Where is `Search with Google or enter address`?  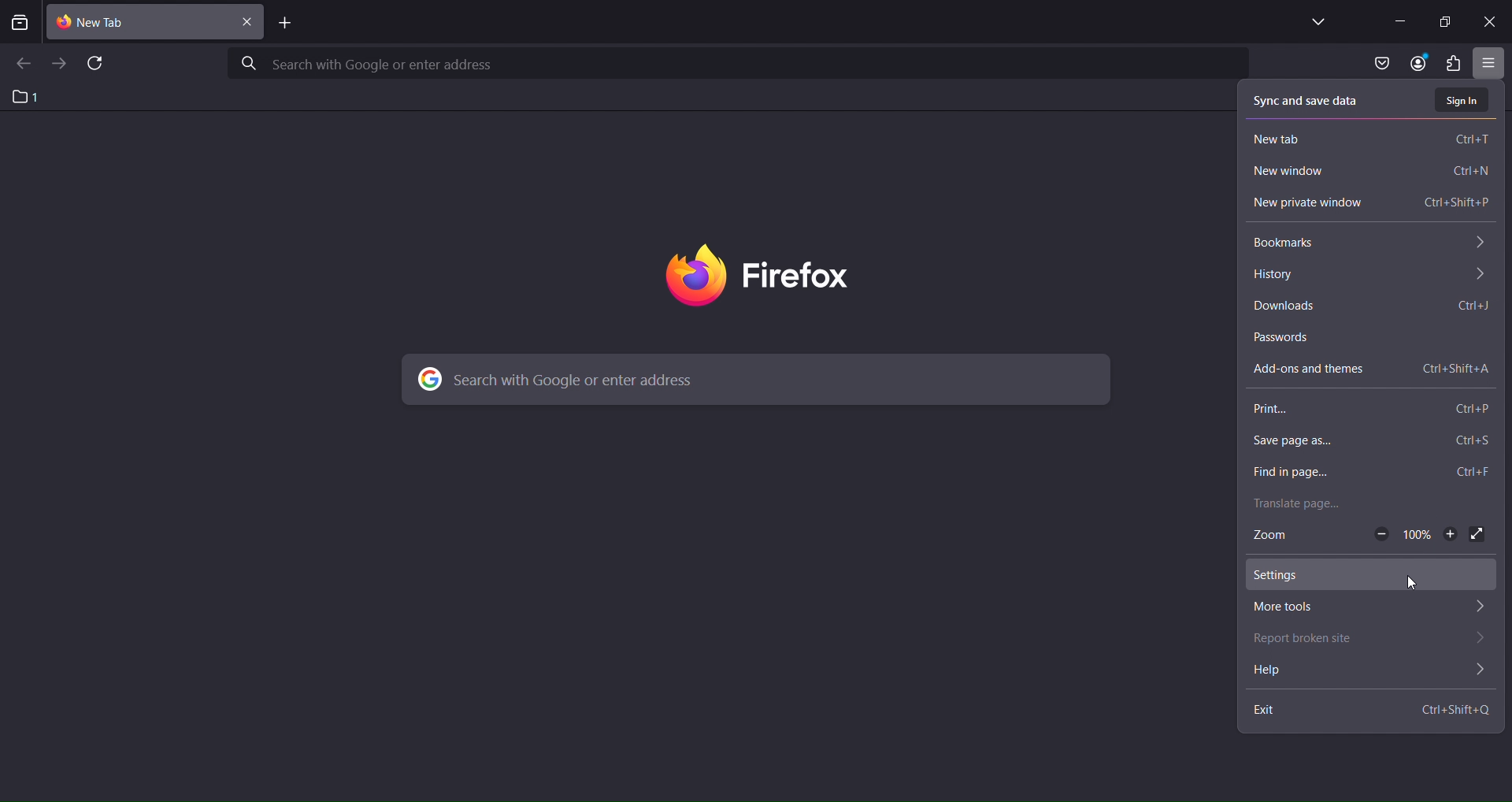 Search with Google or enter address is located at coordinates (584, 381).